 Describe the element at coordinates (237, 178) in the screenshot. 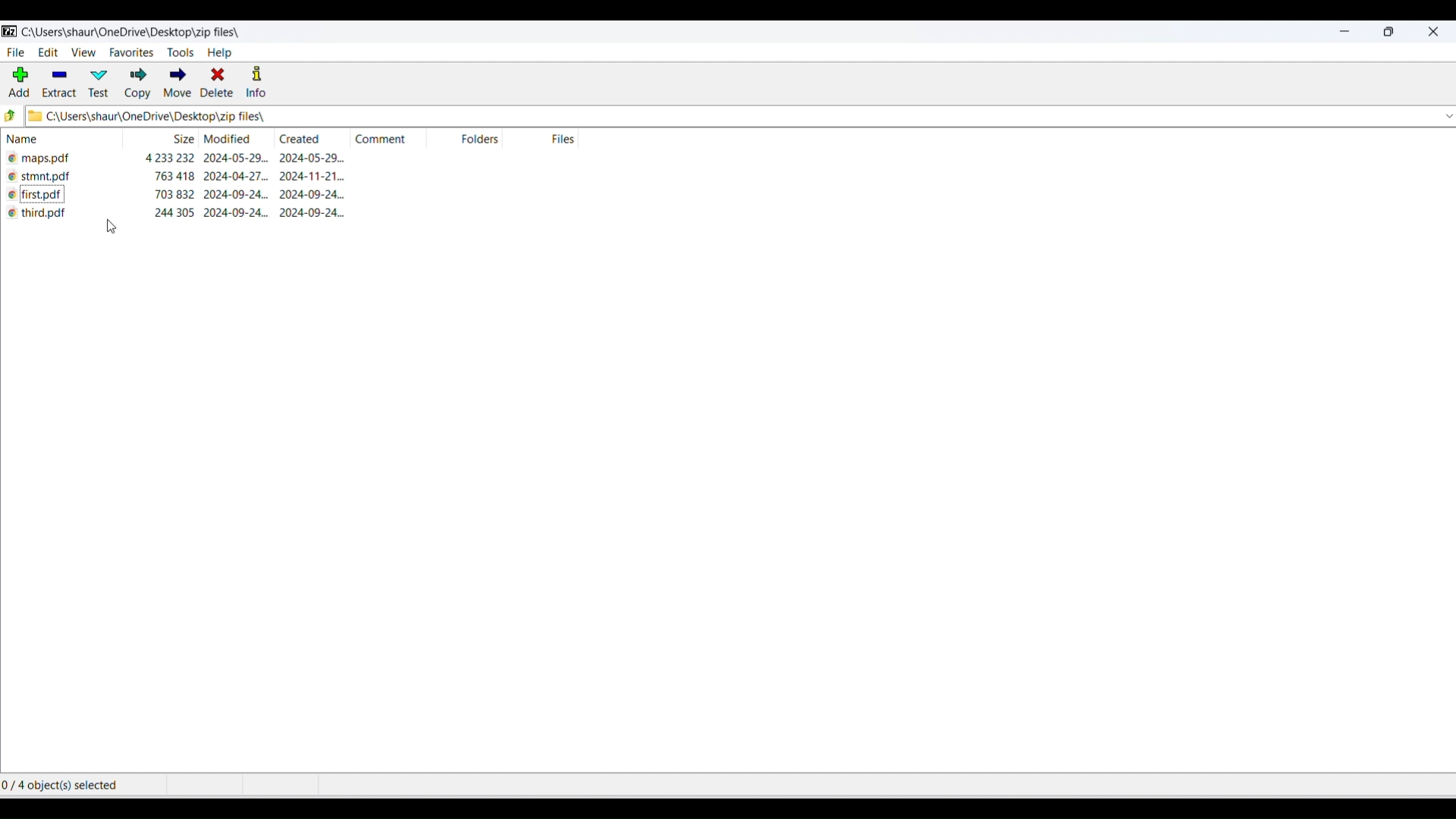

I see `modification date` at that location.